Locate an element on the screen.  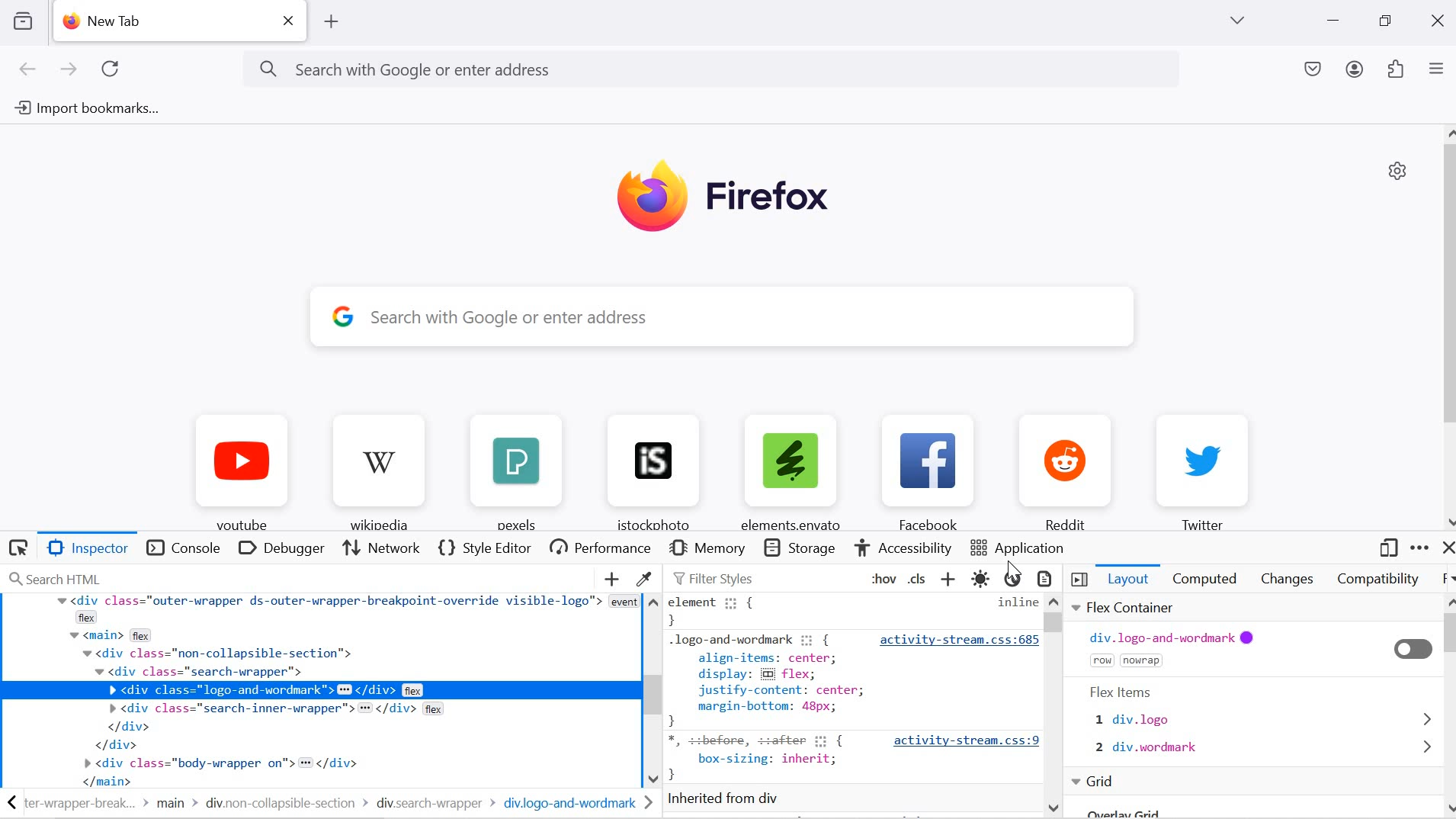
save to pocket is located at coordinates (1310, 69).